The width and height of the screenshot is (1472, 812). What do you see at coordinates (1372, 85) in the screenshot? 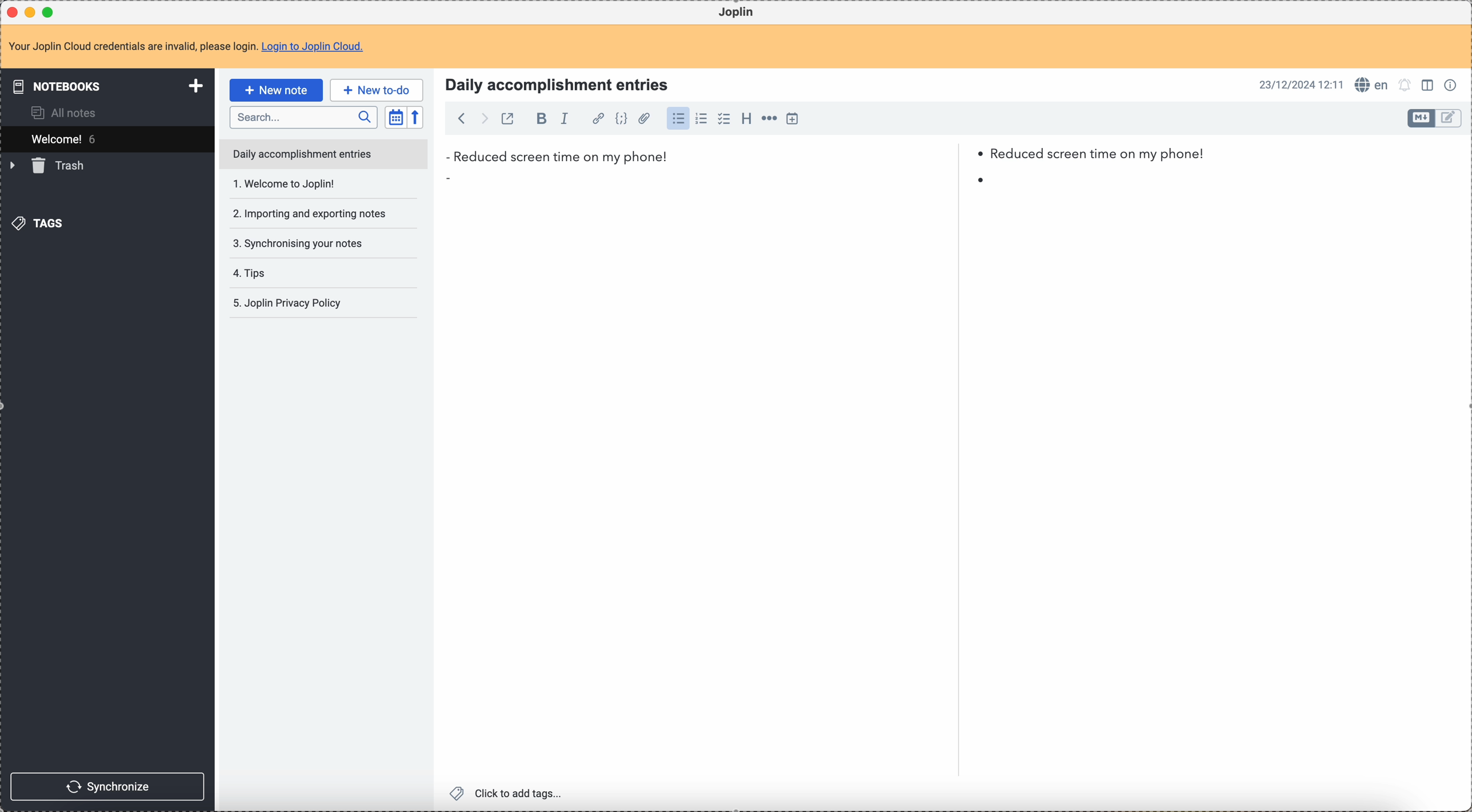
I see `spell checker` at bounding box center [1372, 85].